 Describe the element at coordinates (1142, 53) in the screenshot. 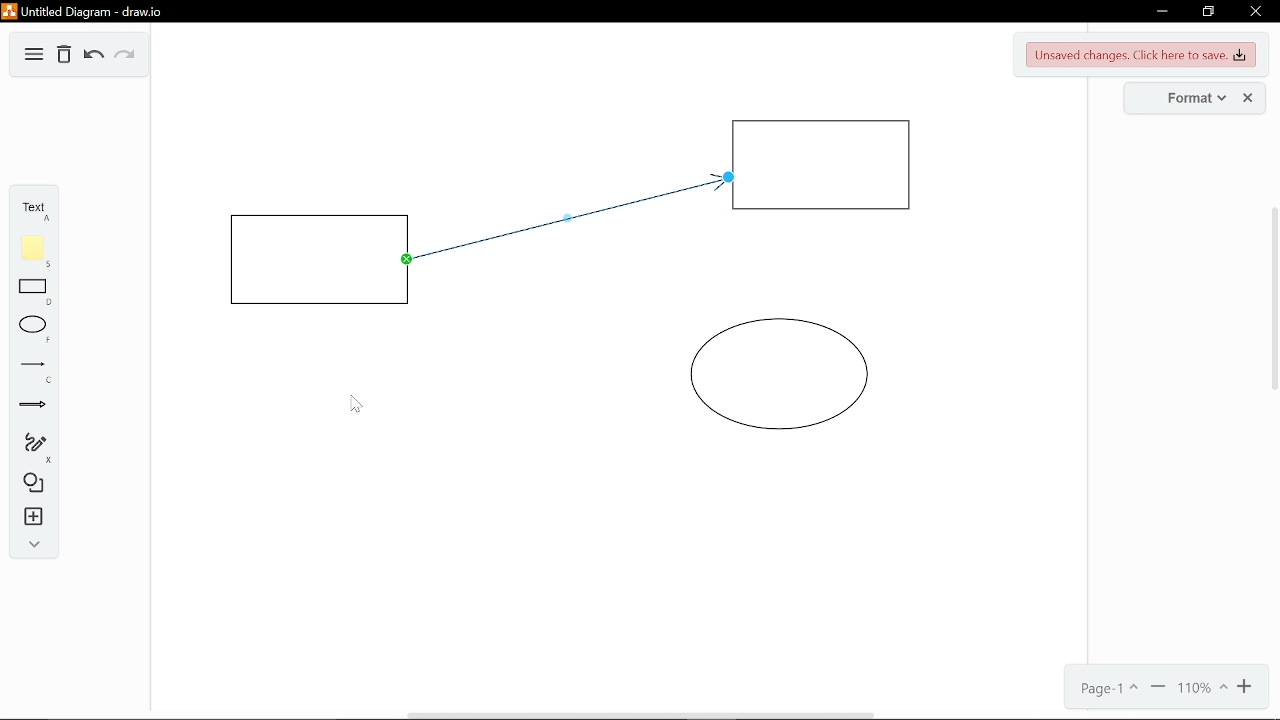

I see `Unsaved changes. Click here to save` at that location.